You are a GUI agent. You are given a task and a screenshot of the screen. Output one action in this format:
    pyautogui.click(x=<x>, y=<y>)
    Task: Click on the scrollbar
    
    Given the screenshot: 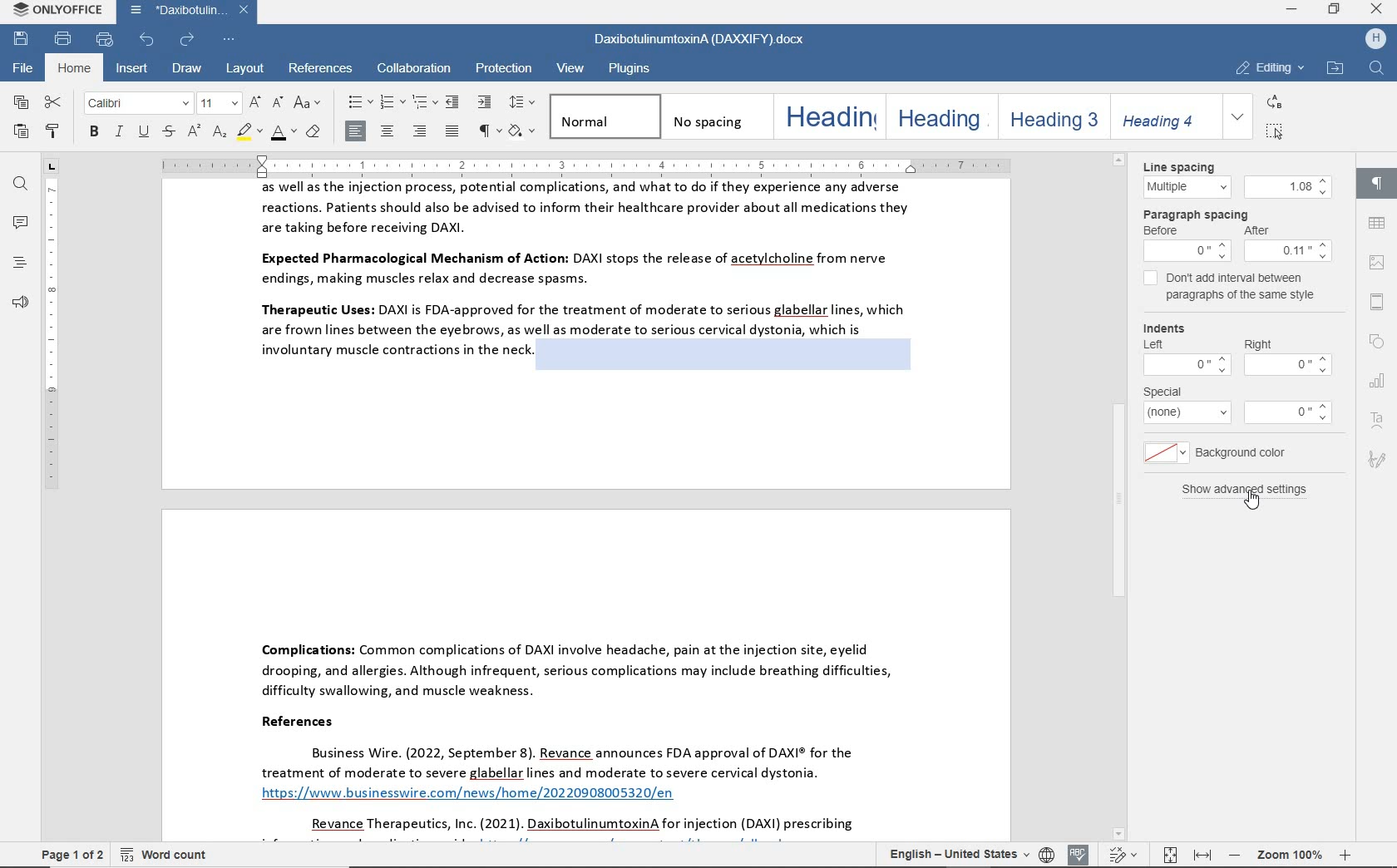 What is the action you would take?
    pyautogui.click(x=1346, y=499)
    